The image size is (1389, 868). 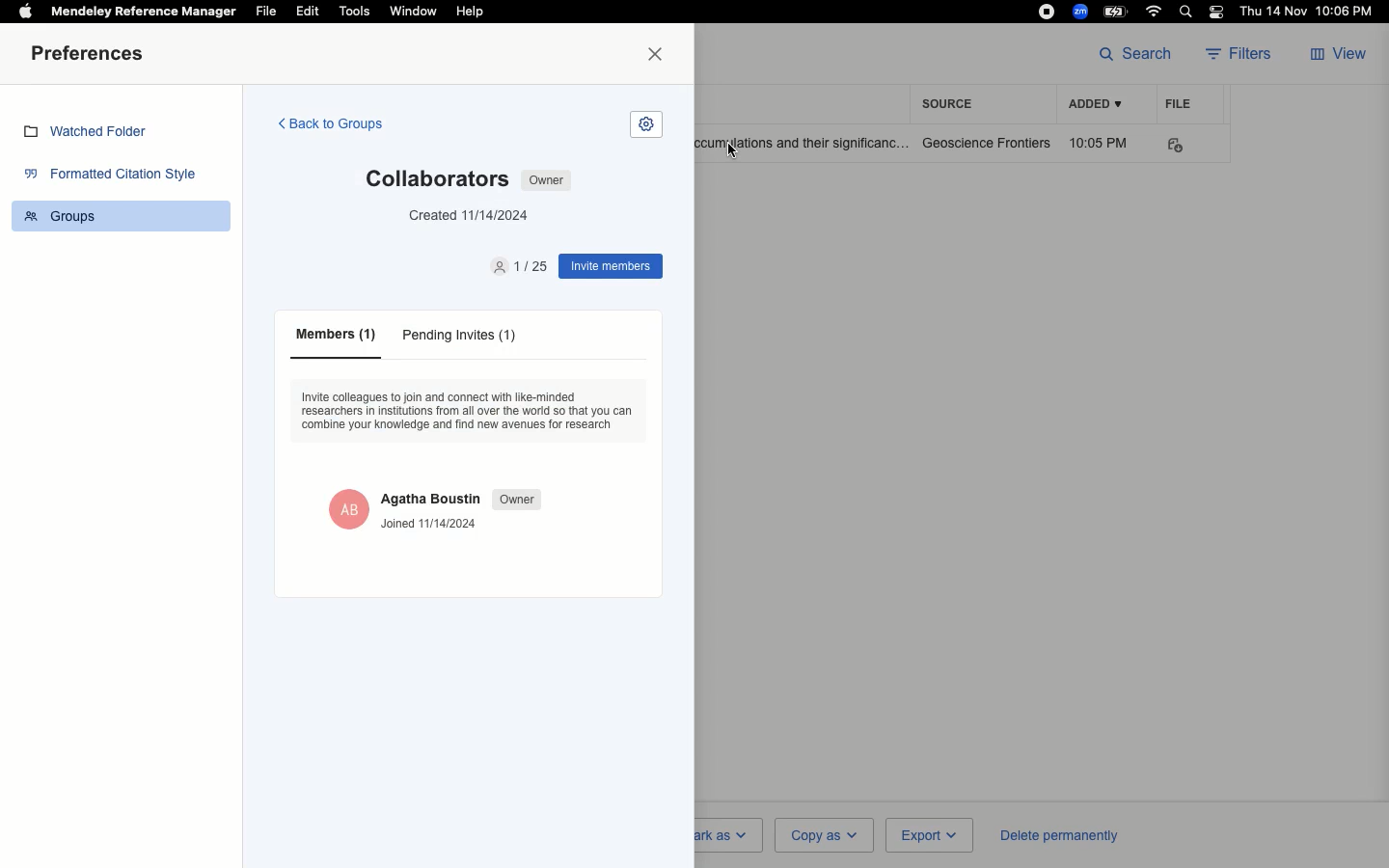 What do you see at coordinates (1156, 12) in the screenshot?
I see `Internet` at bounding box center [1156, 12].